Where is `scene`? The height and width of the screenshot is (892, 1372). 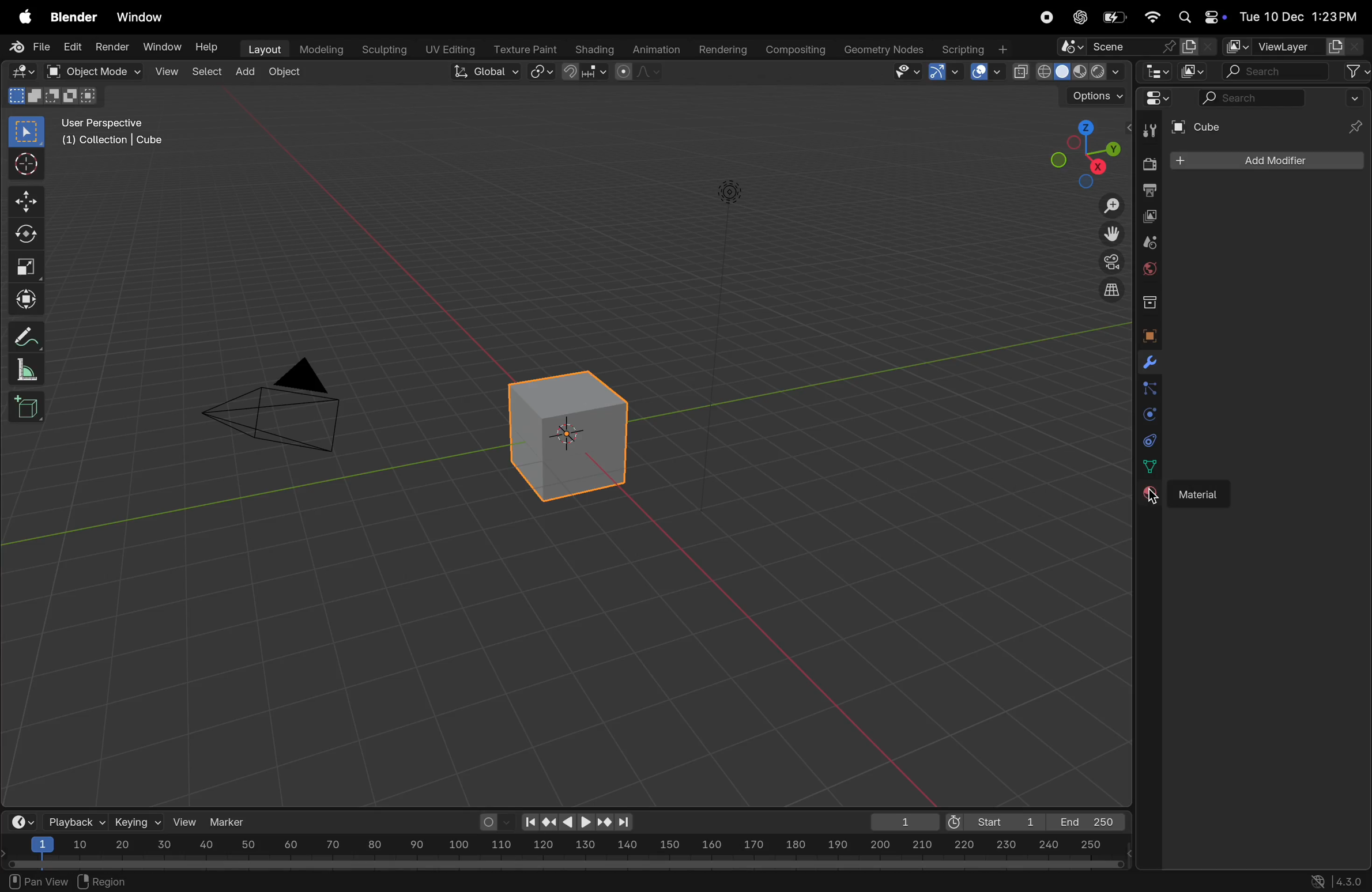
scene is located at coordinates (1137, 47).